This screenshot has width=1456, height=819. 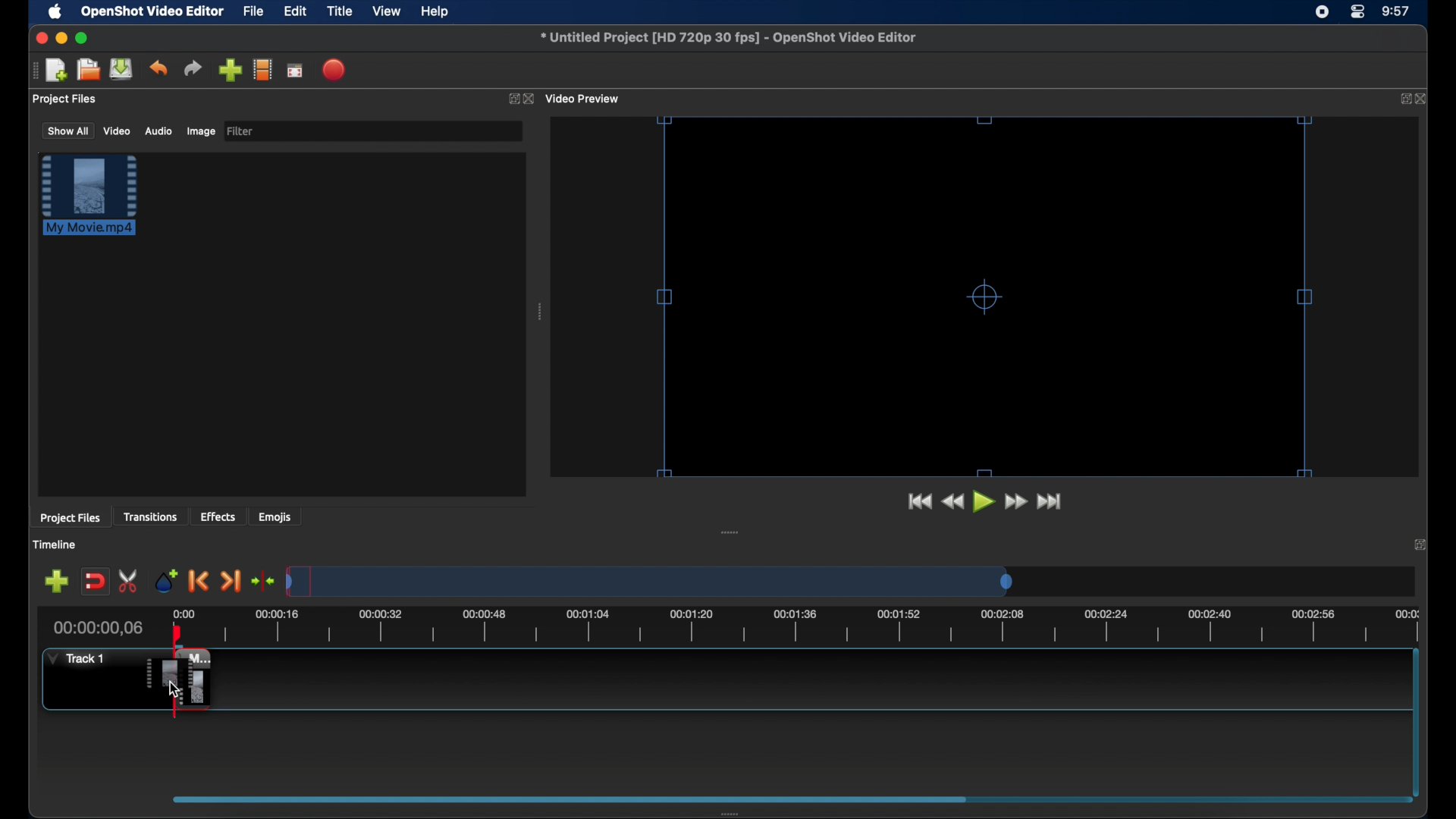 What do you see at coordinates (262, 581) in the screenshot?
I see `center the playhead on the timeline` at bounding box center [262, 581].